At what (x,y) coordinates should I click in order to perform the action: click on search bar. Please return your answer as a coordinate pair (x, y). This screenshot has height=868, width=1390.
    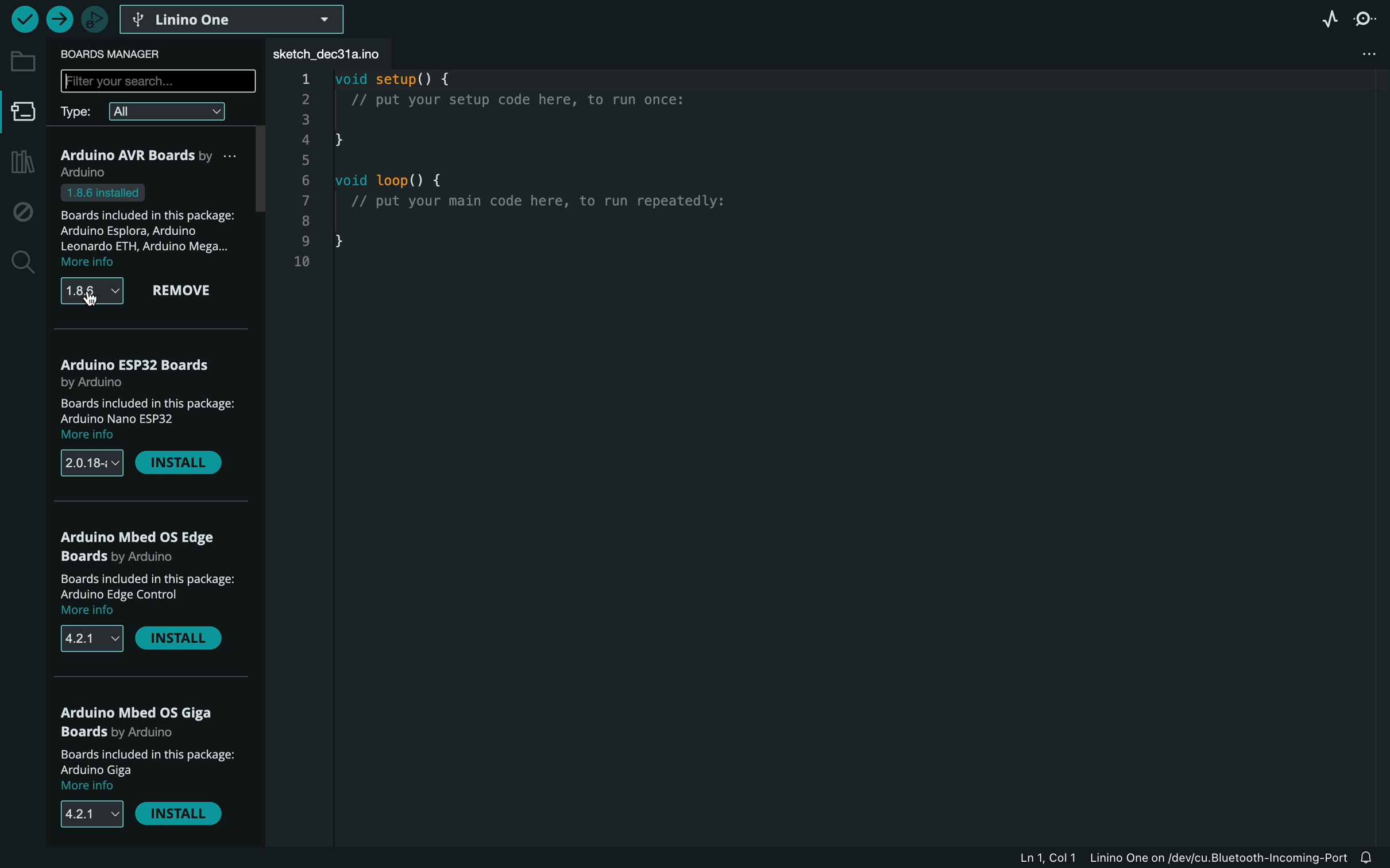
    Looking at the image, I should click on (156, 80).